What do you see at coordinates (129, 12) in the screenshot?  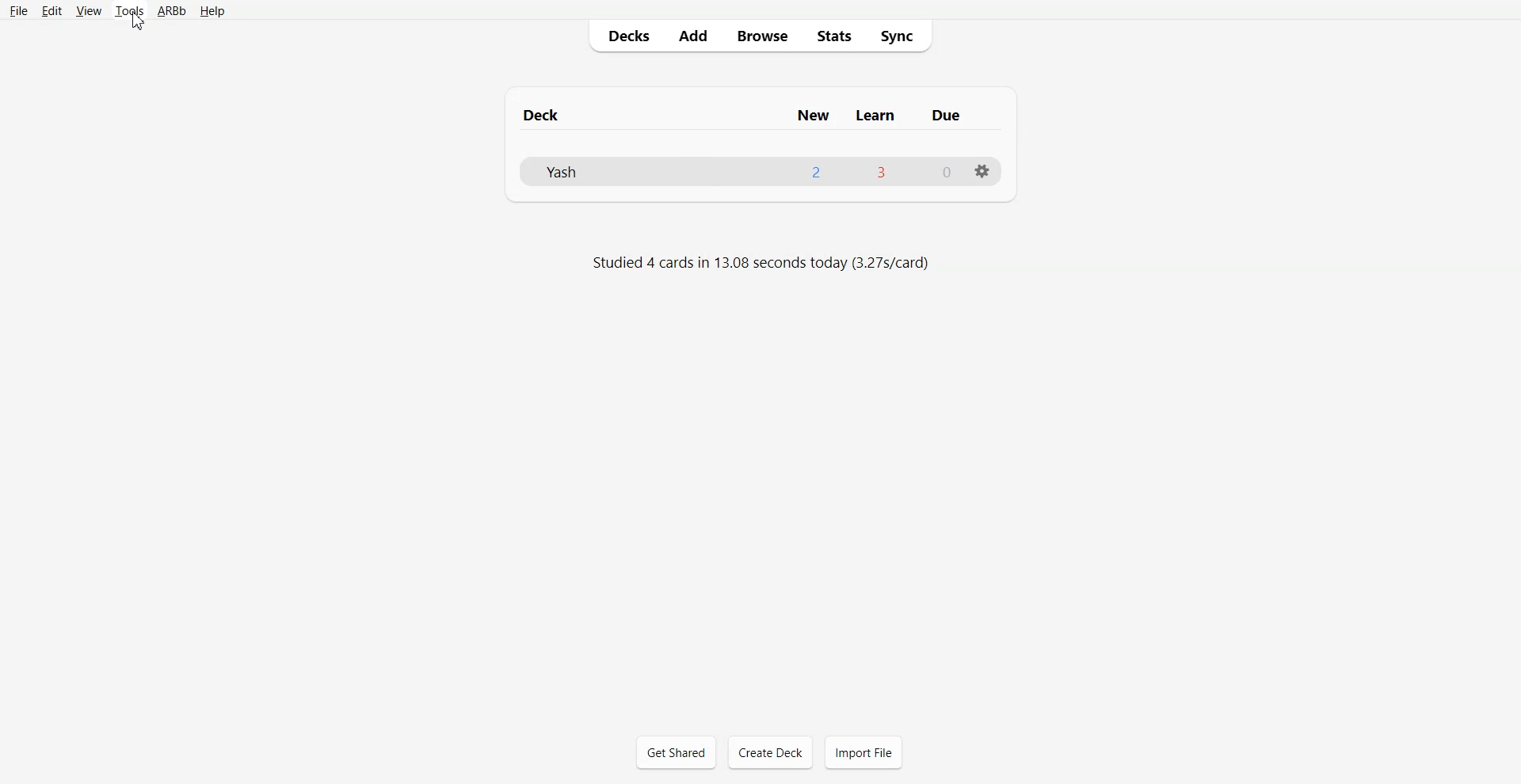 I see `Tools` at bounding box center [129, 12].